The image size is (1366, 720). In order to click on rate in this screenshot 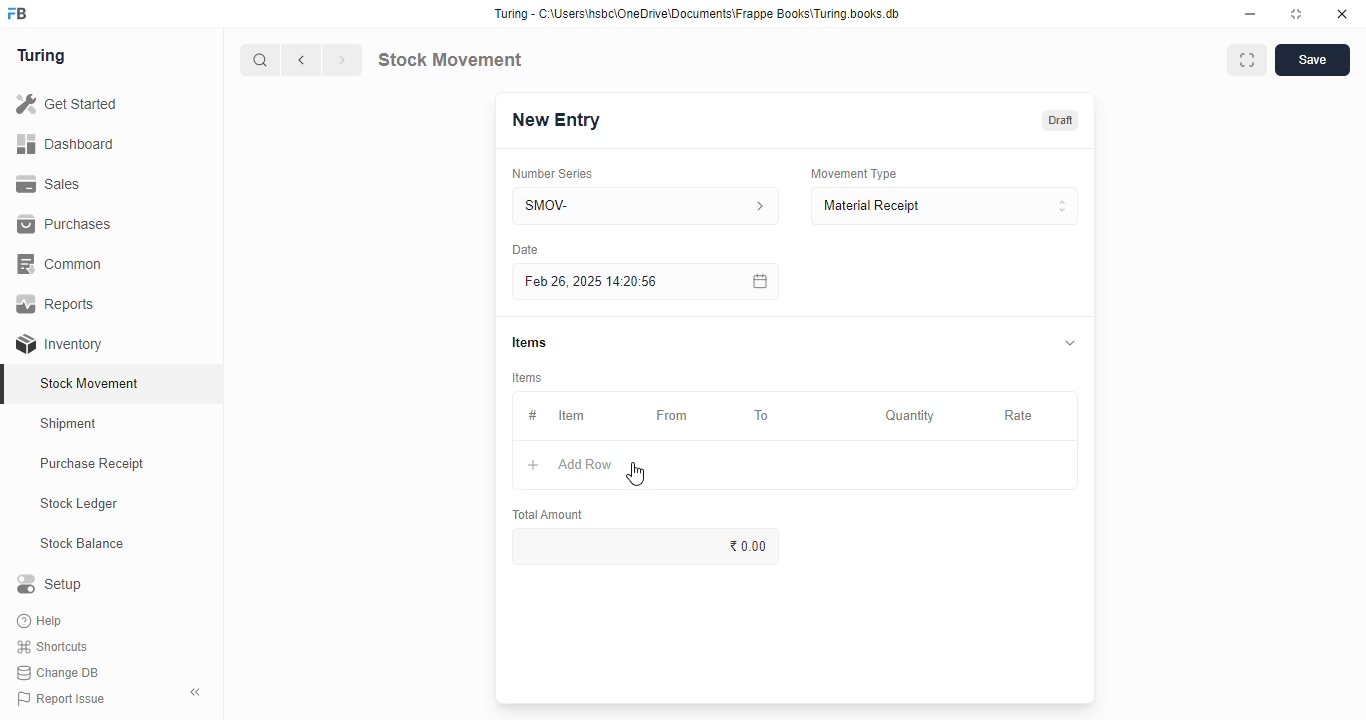, I will do `click(1019, 416)`.